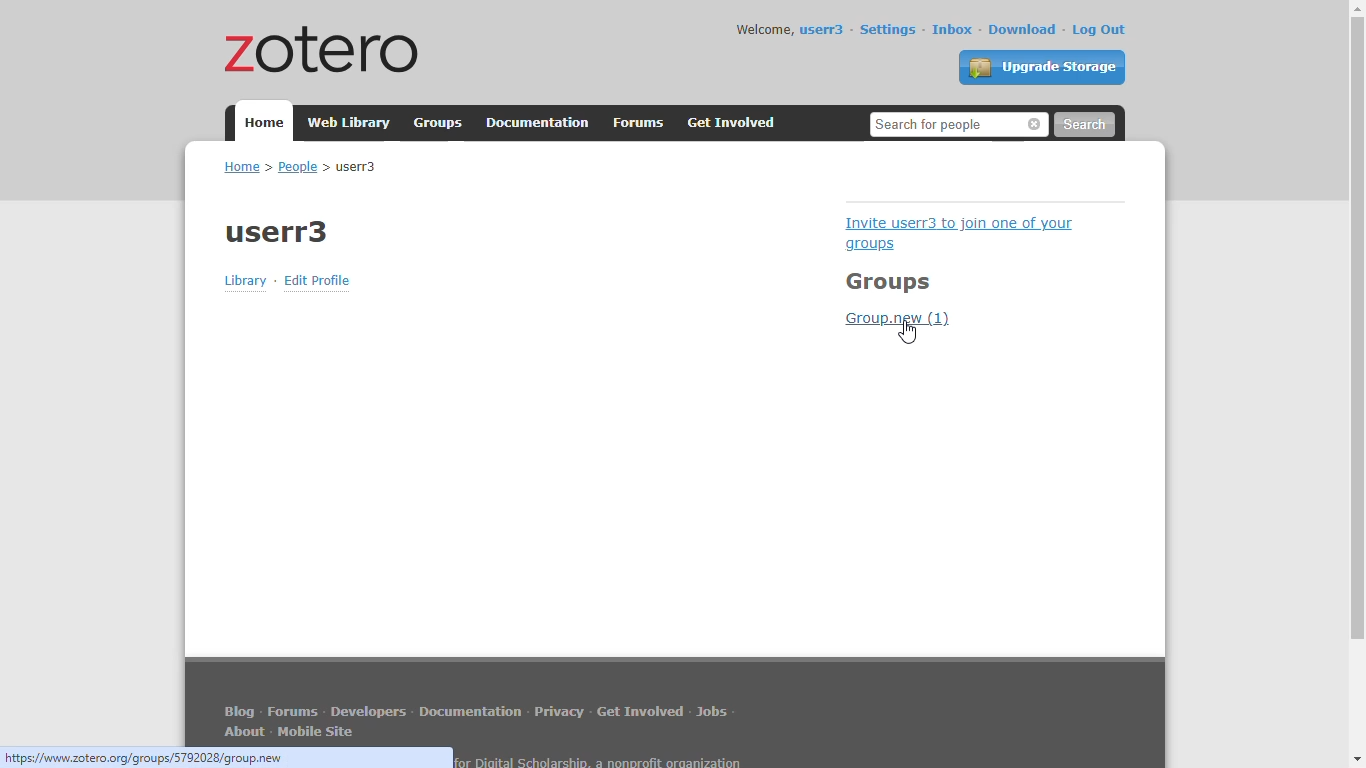 The width and height of the screenshot is (1366, 768). Describe the element at coordinates (318, 280) in the screenshot. I see `edit profile` at that location.